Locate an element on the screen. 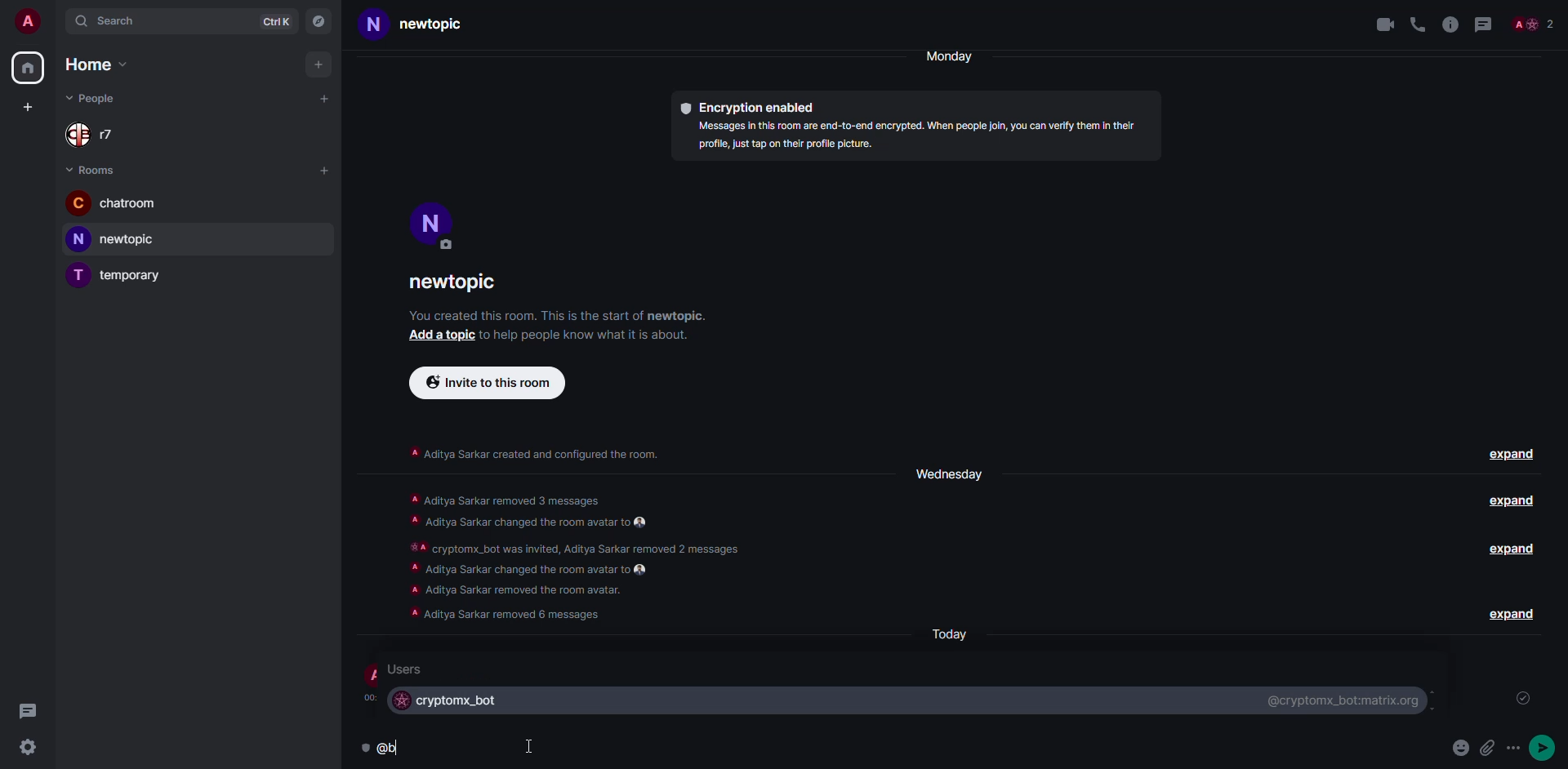 This screenshot has height=769, width=1568. home is located at coordinates (93, 64).